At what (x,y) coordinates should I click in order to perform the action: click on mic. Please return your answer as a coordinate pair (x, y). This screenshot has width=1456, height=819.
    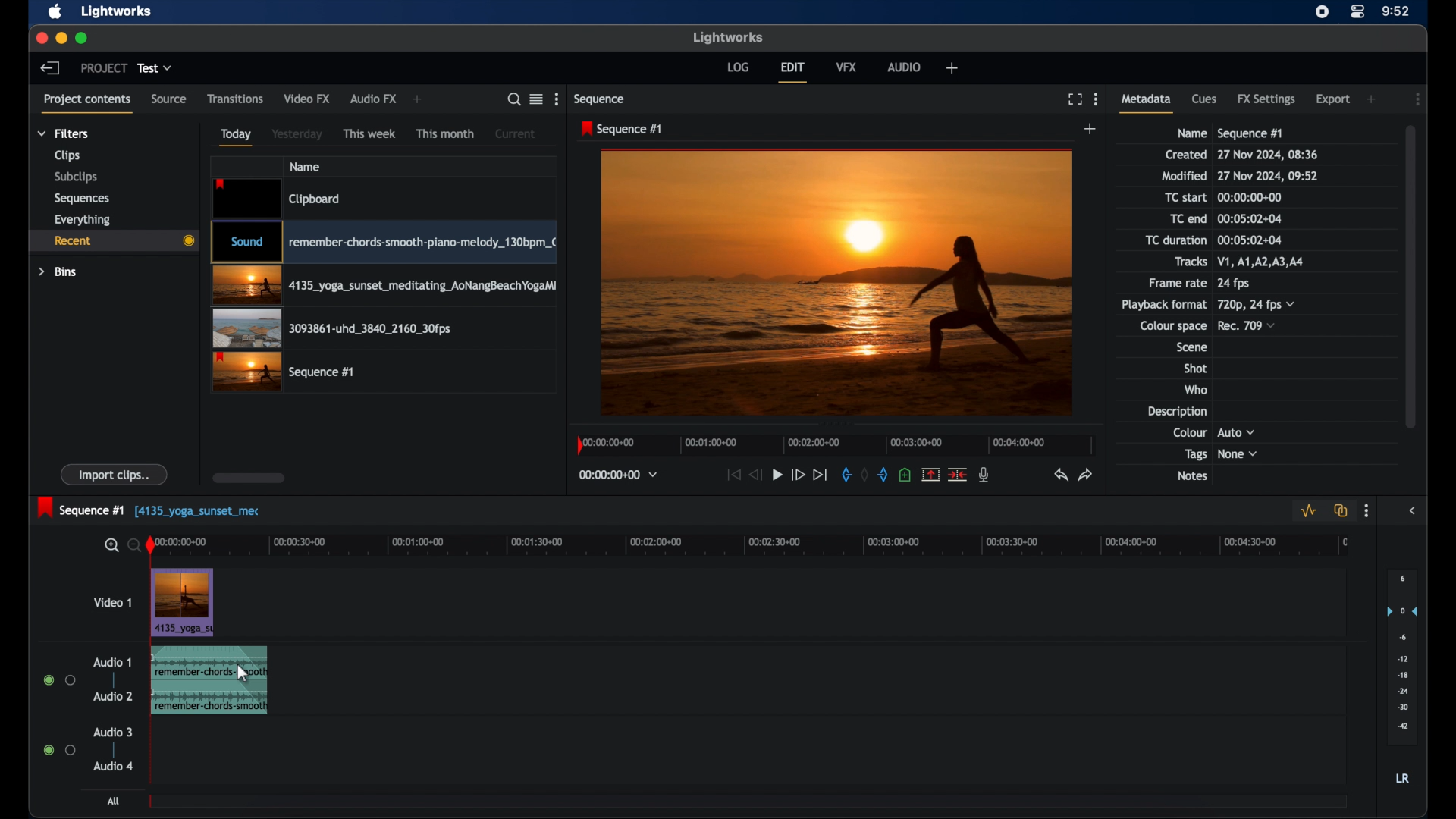
    Looking at the image, I should click on (986, 475).